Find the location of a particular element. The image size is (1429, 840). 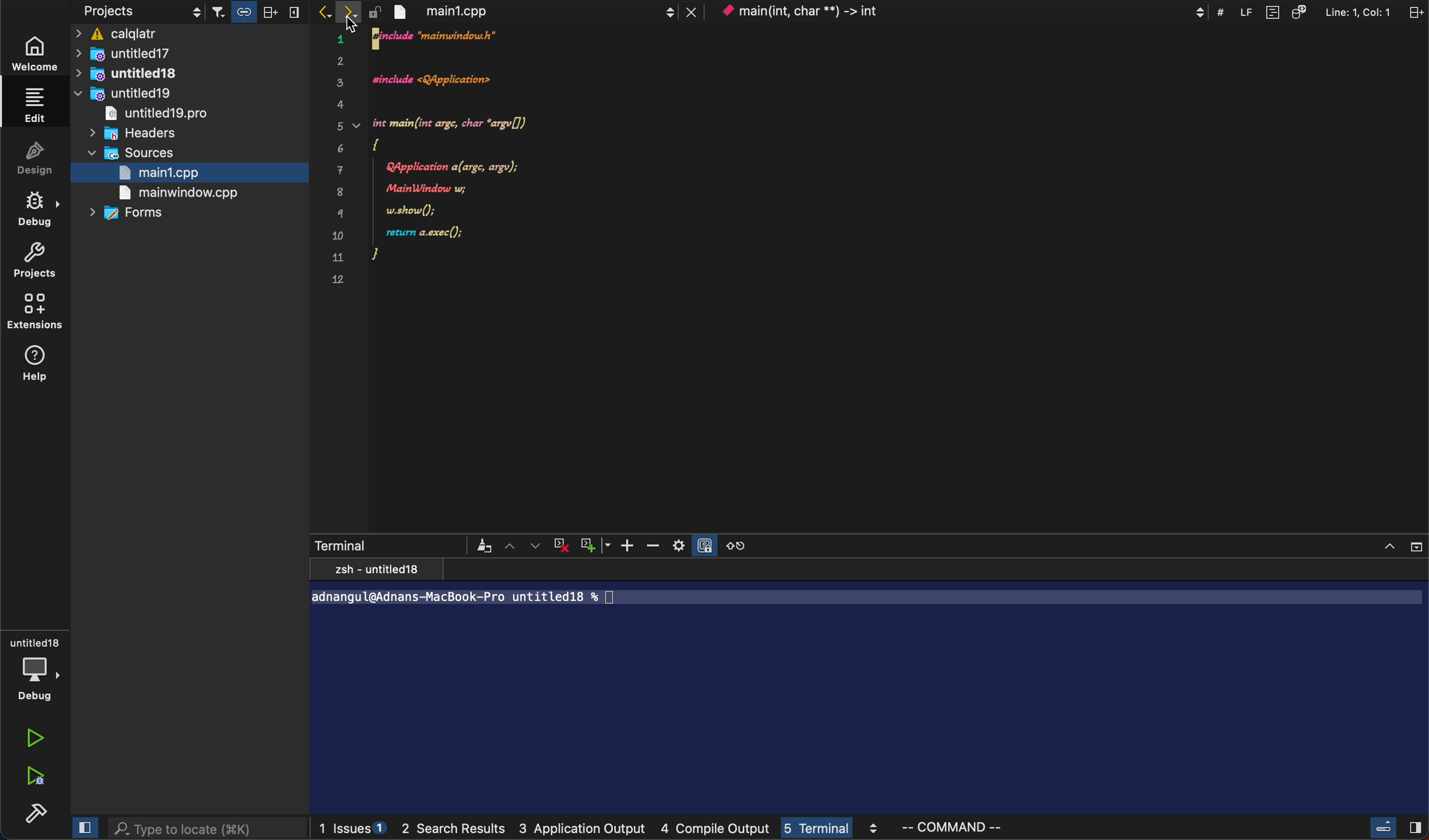

Add Terminal is located at coordinates (588, 546).